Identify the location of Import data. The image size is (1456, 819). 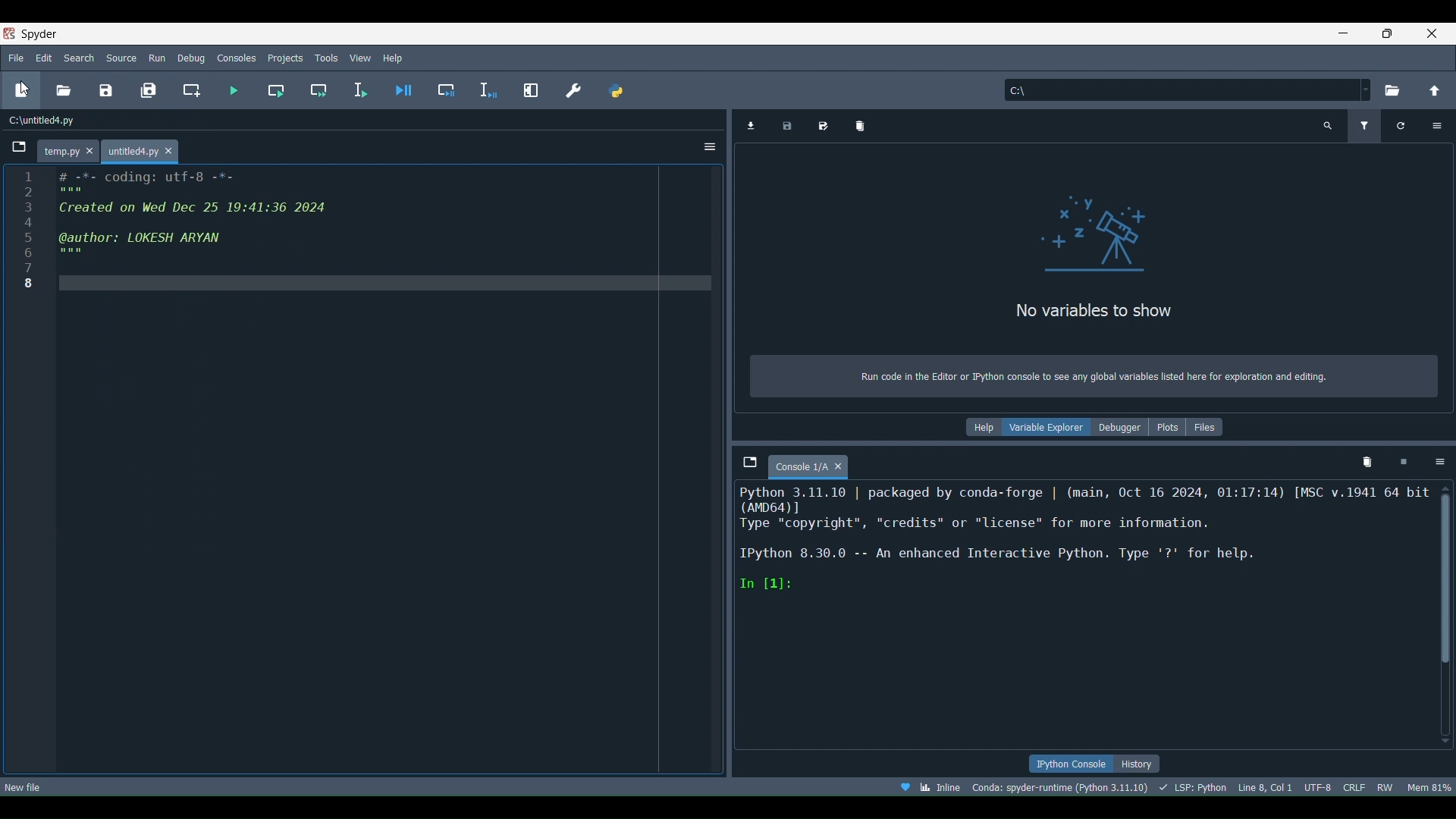
(754, 124).